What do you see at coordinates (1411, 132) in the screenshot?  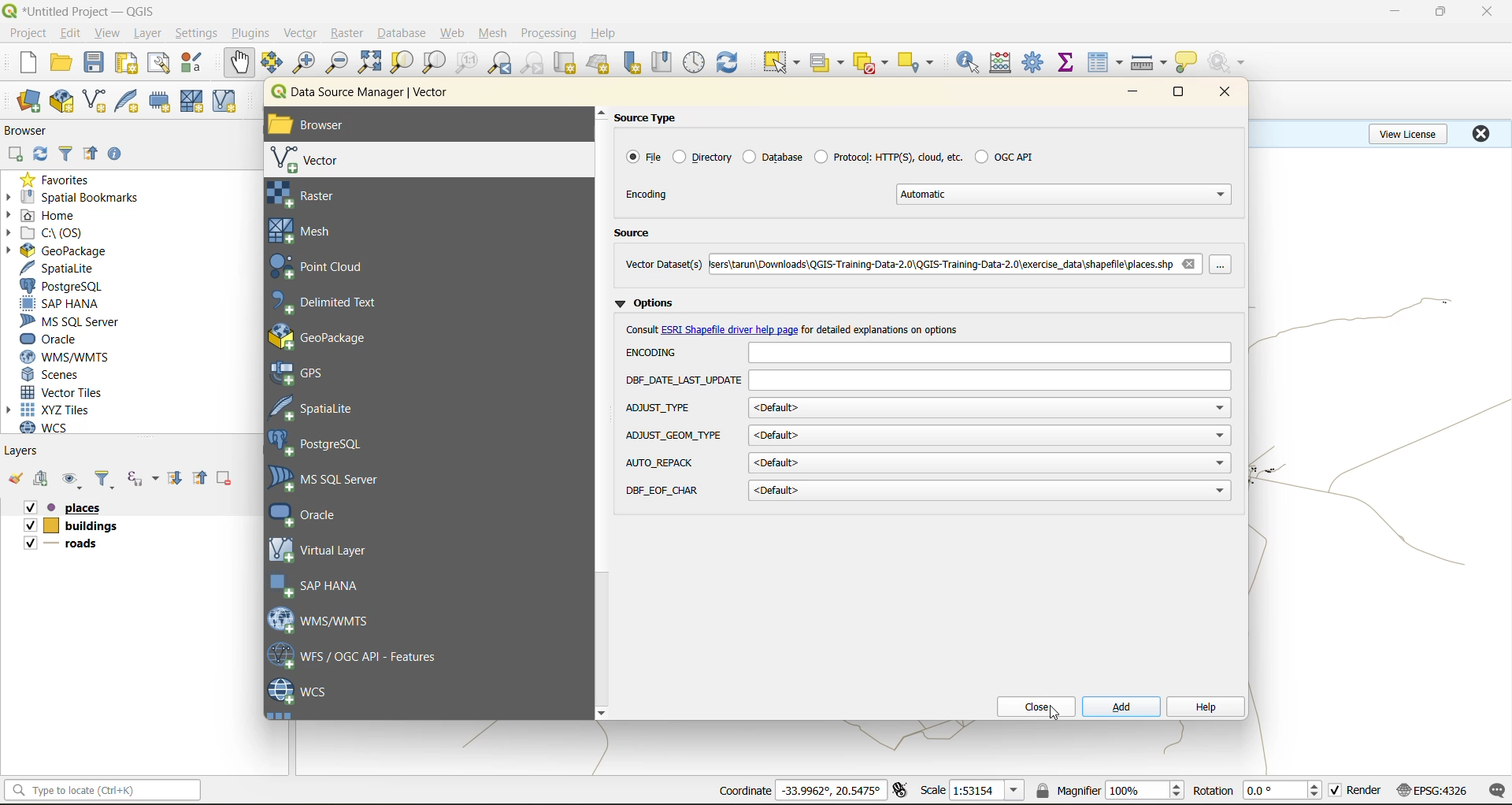 I see `view license` at bounding box center [1411, 132].